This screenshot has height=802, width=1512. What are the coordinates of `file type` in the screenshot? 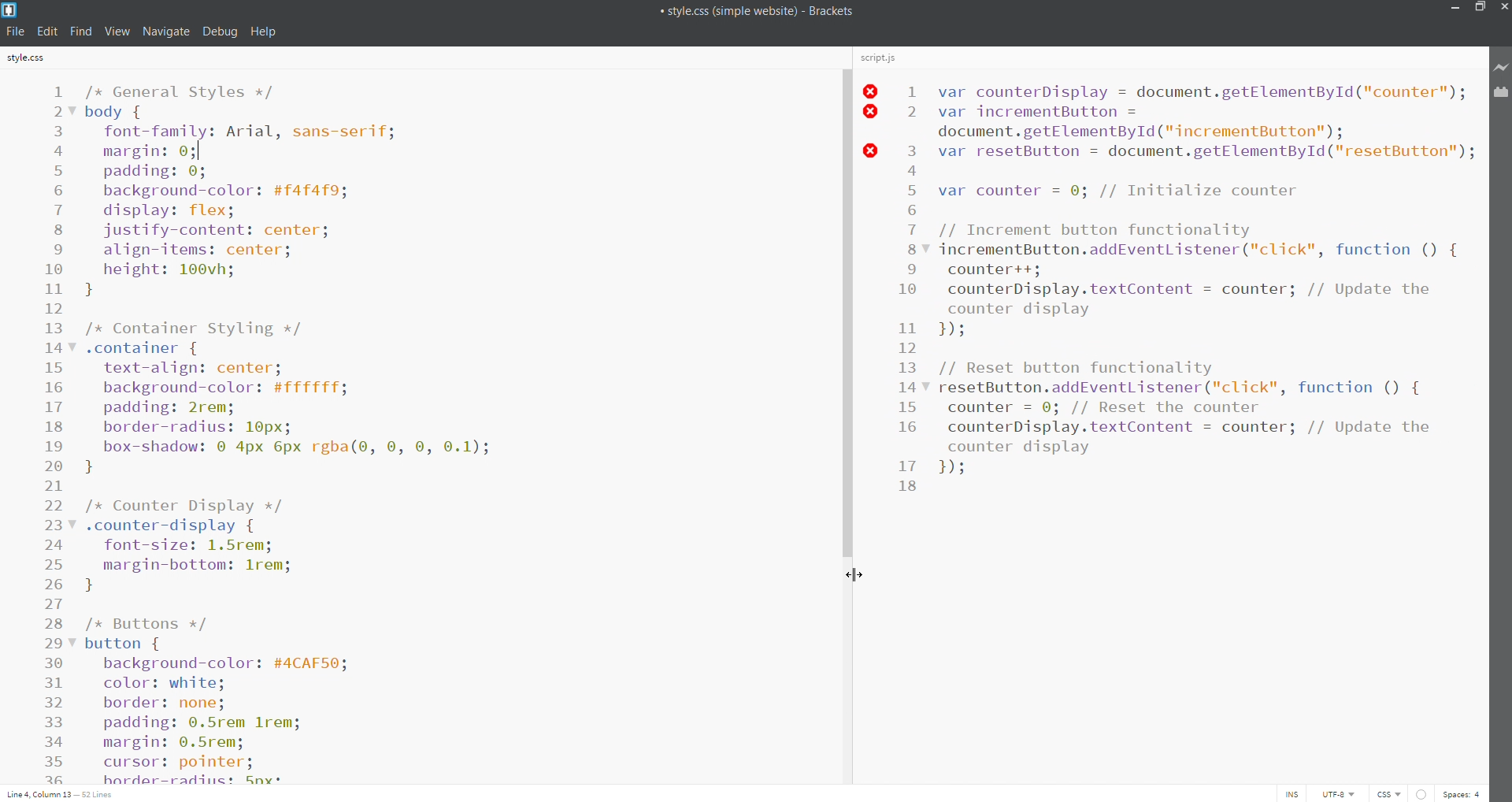 It's located at (1384, 793).